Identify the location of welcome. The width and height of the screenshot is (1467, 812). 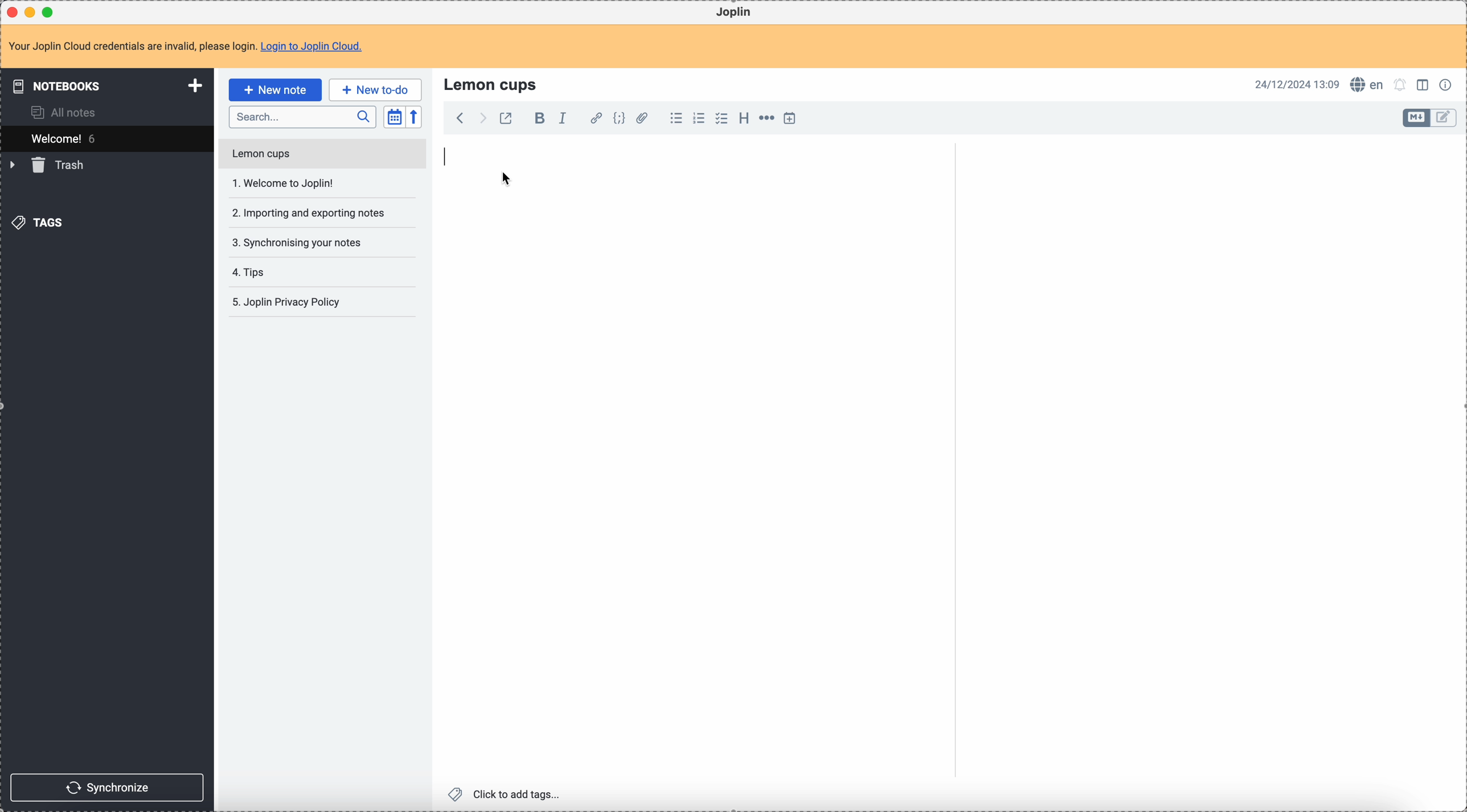
(106, 138).